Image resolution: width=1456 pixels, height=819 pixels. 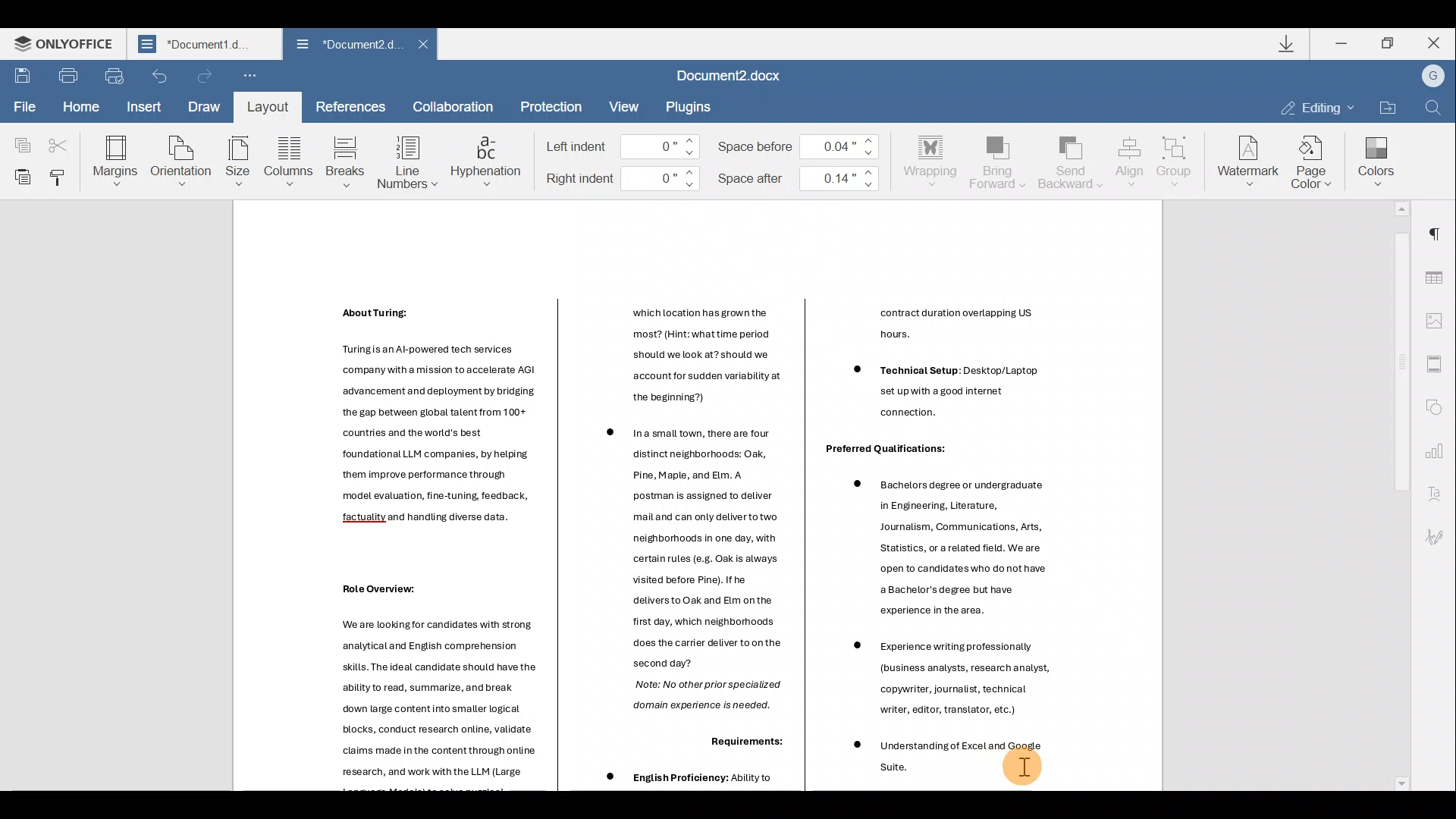 I want to click on Insert, so click(x=141, y=107).